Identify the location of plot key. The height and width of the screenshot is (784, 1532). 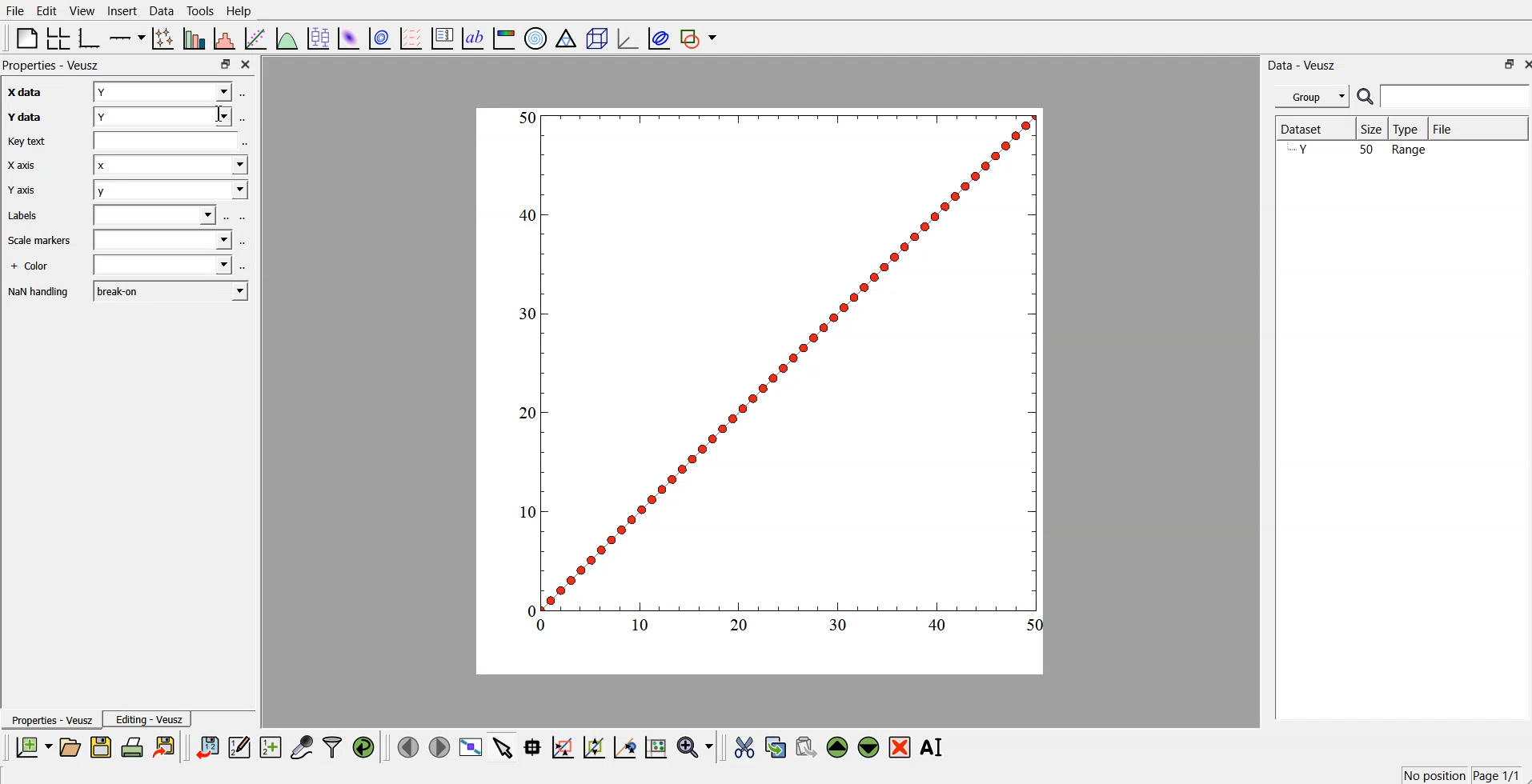
(442, 37).